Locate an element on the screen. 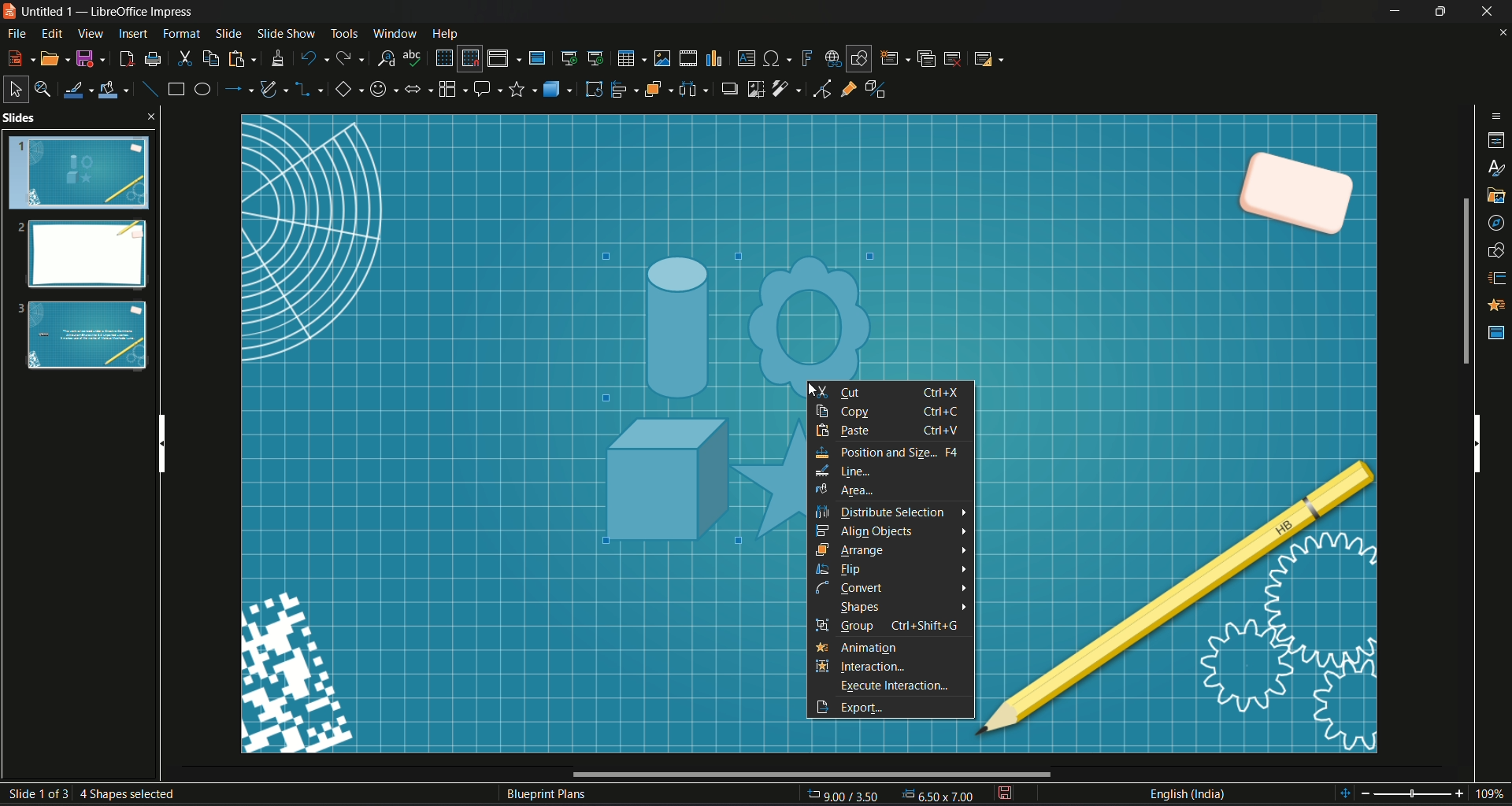  shadow is located at coordinates (727, 87).